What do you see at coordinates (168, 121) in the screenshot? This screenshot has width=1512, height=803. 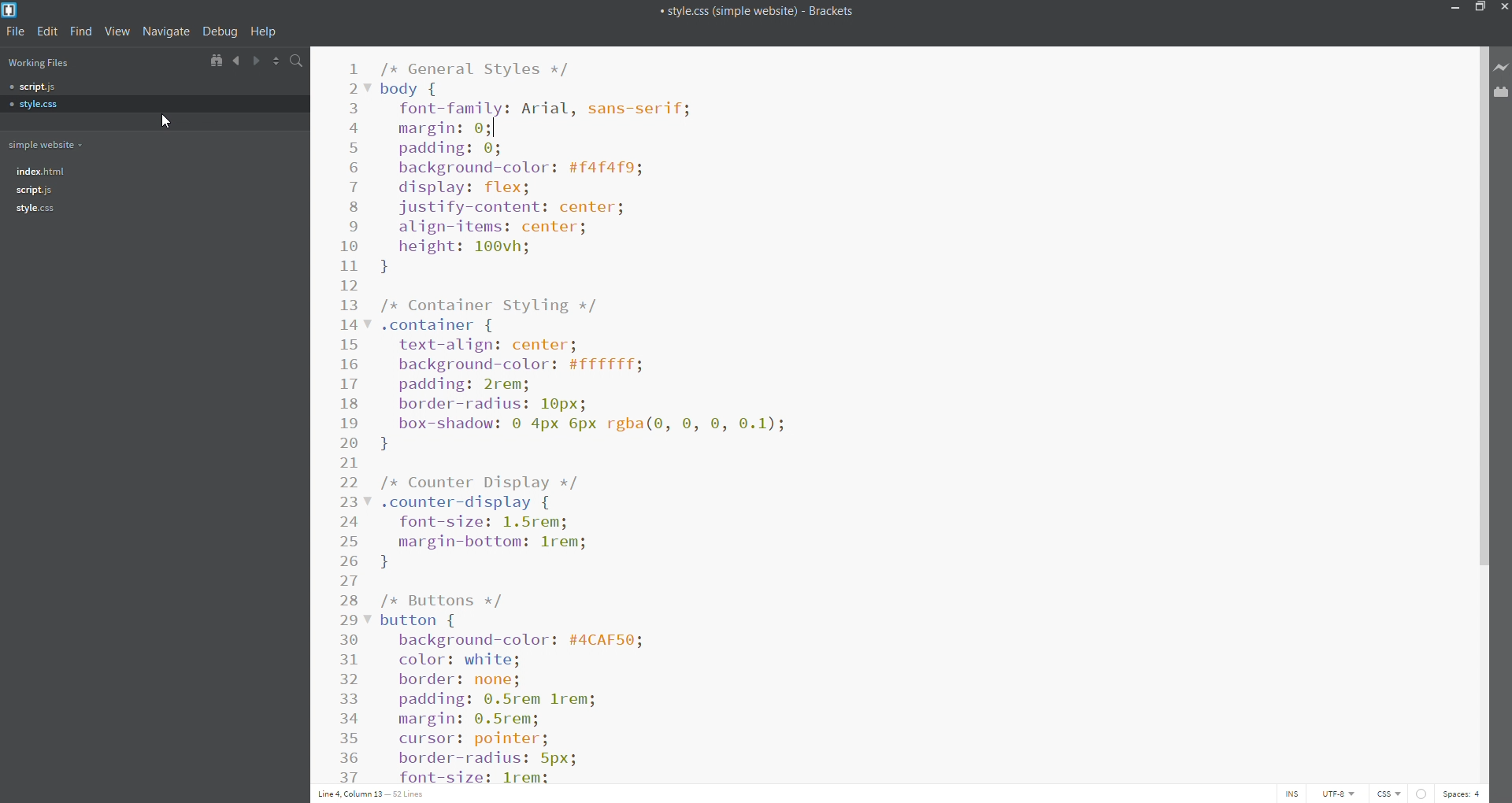 I see `cursor` at bounding box center [168, 121].